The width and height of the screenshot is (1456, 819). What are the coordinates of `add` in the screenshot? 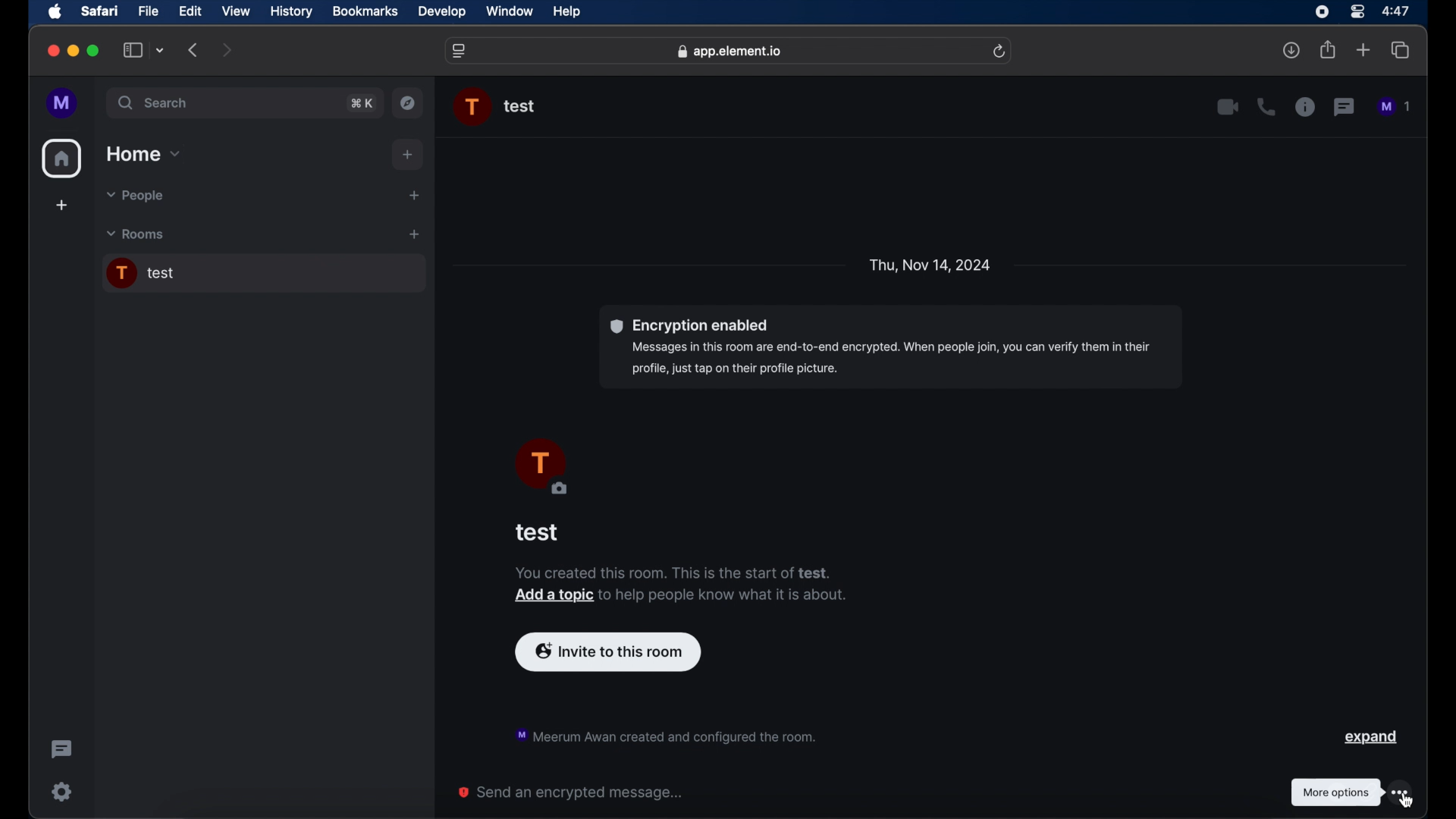 It's located at (409, 155).